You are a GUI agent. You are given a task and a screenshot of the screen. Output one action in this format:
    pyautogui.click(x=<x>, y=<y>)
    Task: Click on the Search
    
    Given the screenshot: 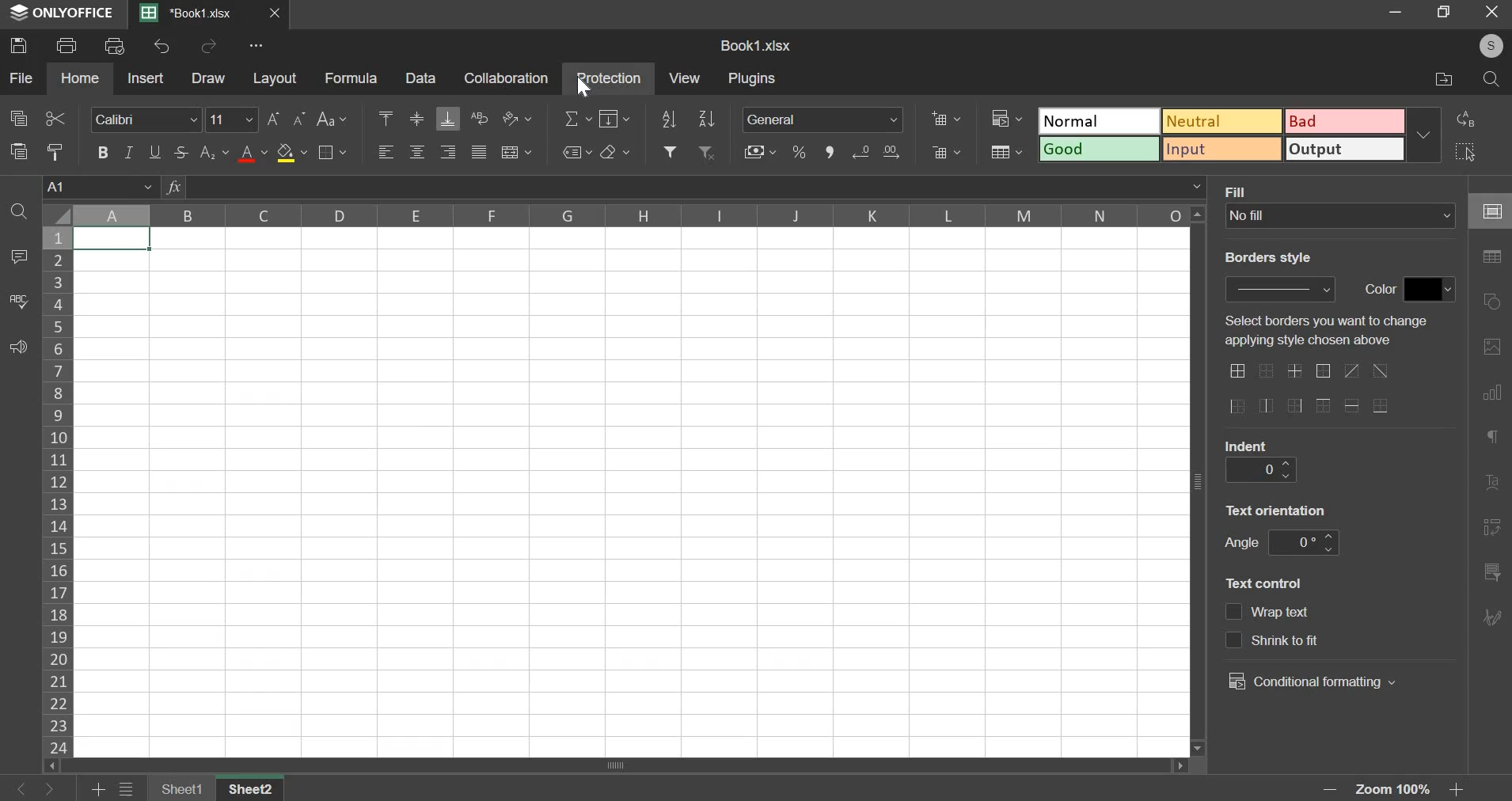 What is the action you would take?
    pyautogui.click(x=1492, y=80)
    